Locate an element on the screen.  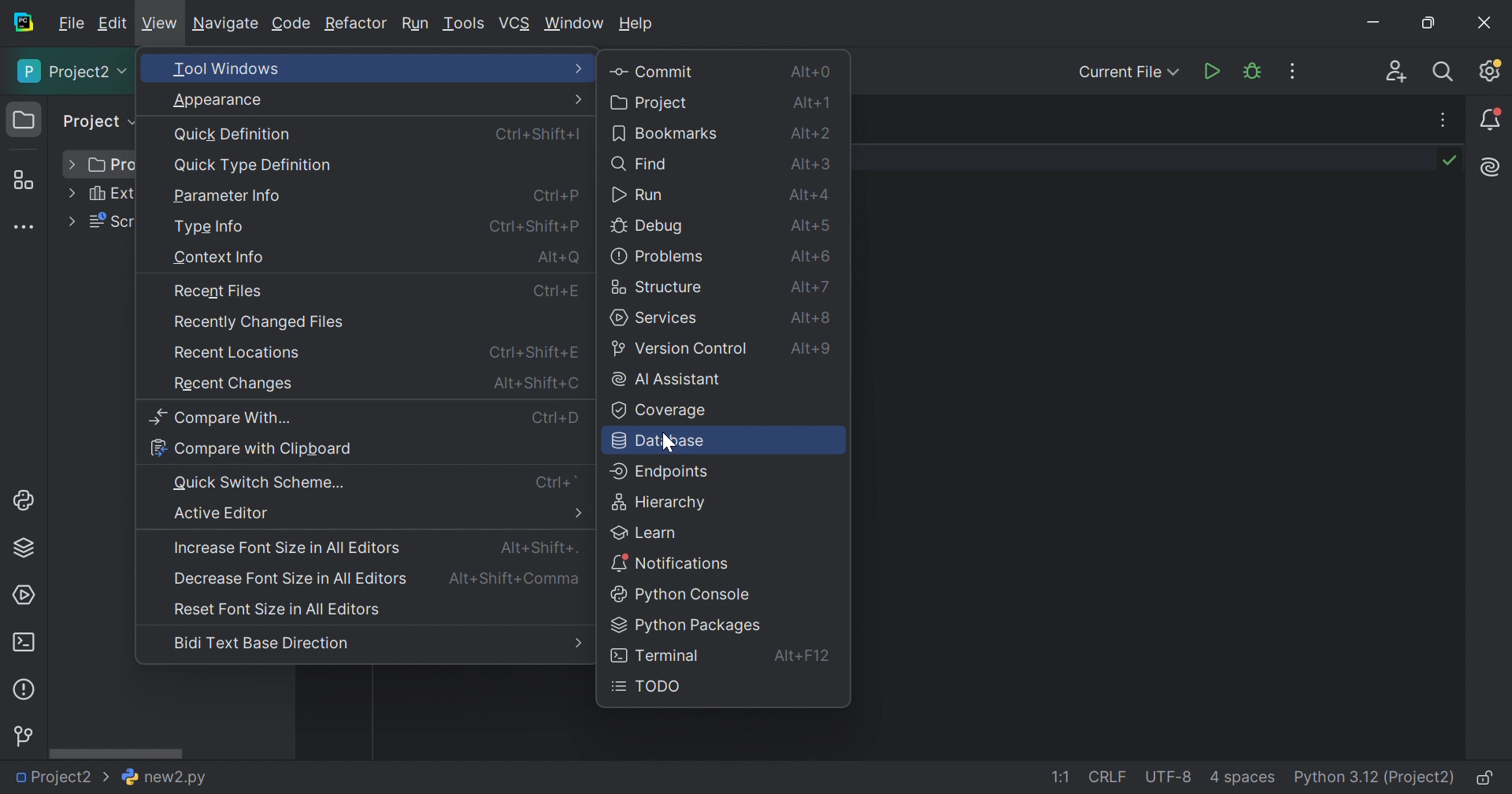
Search Everywhere is located at coordinates (1444, 71).